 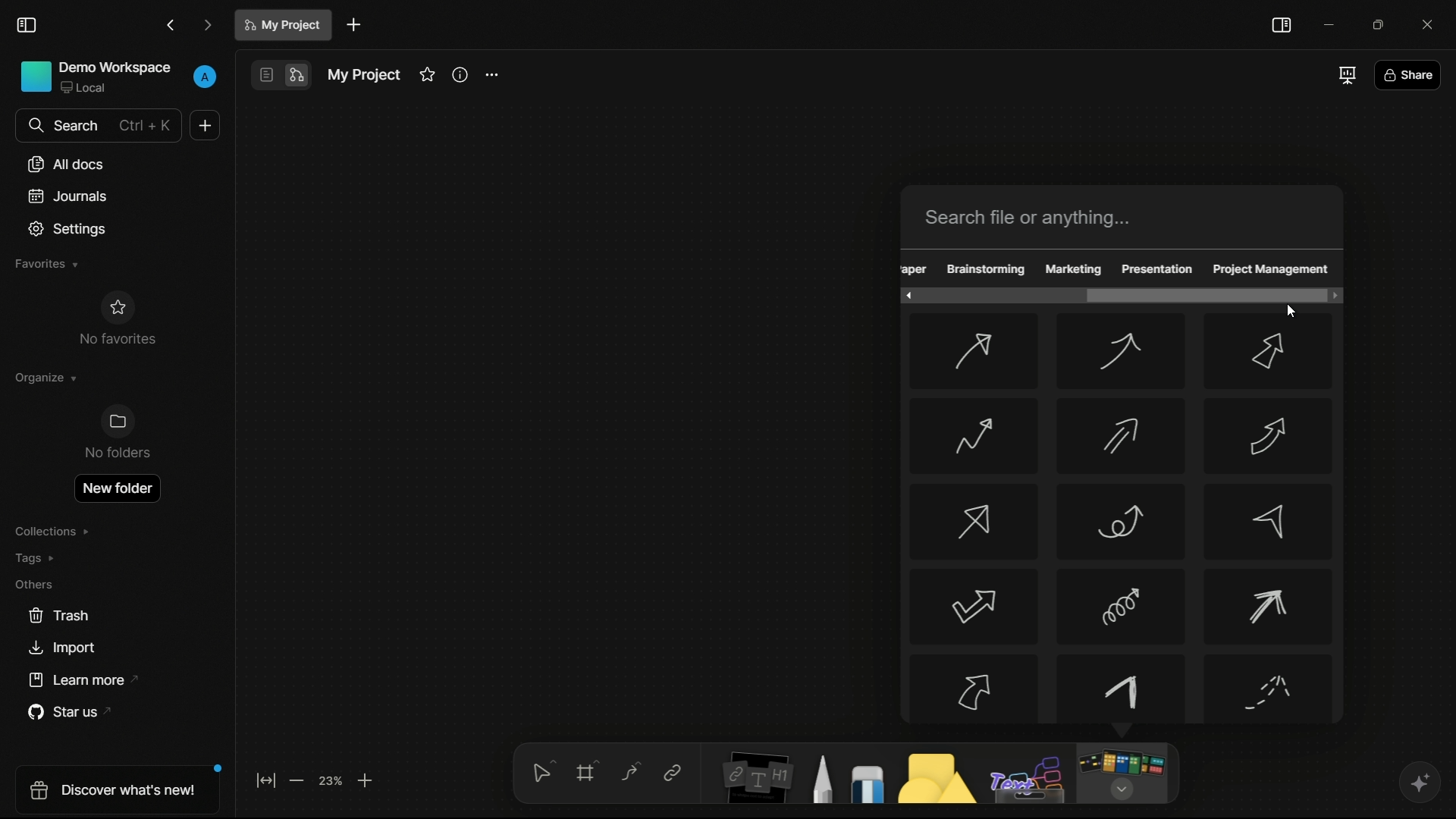 What do you see at coordinates (97, 125) in the screenshot?
I see `search bar` at bounding box center [97, 125].